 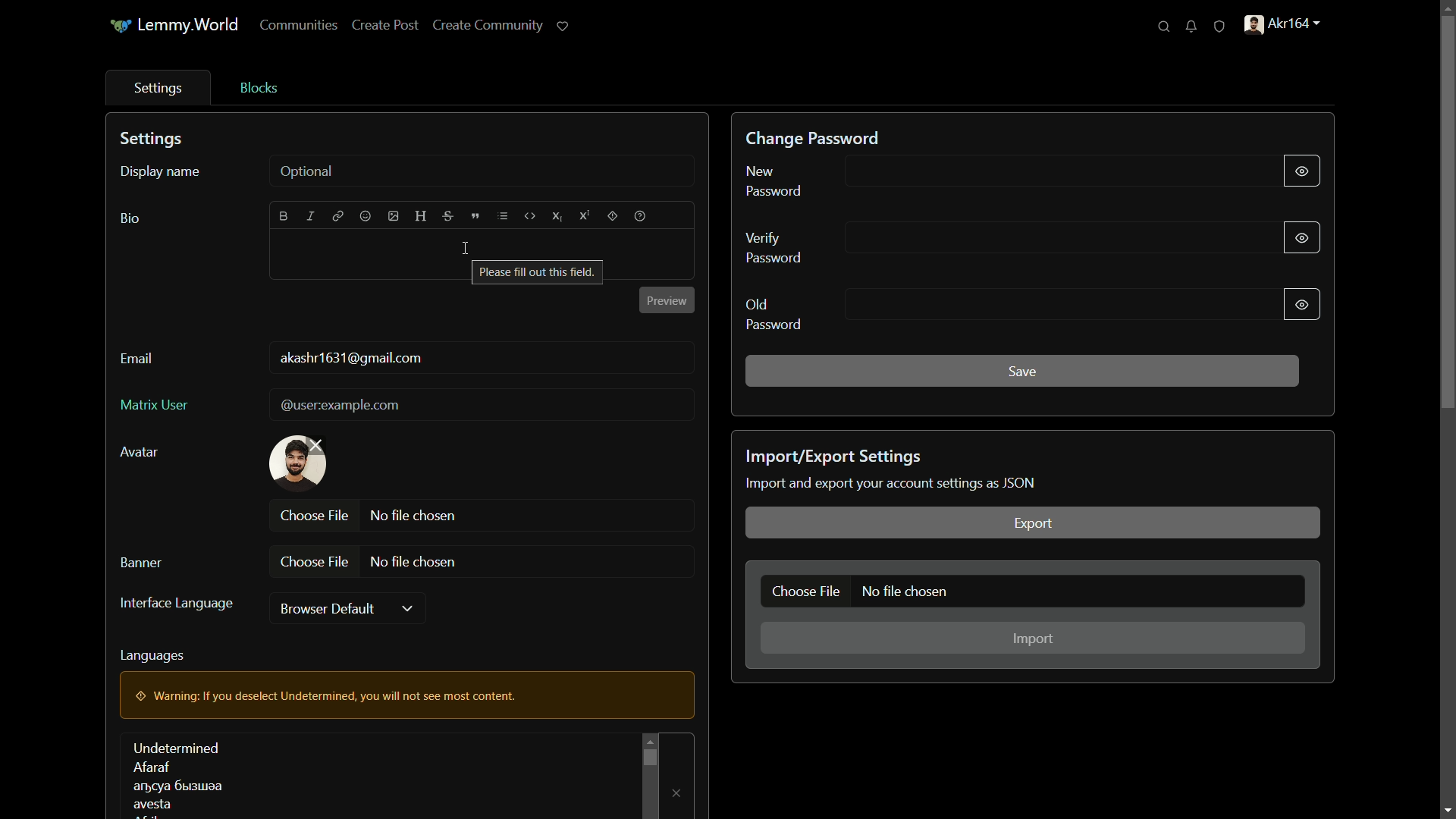 What do you see at coordinates (300, 463) in the screenshot?
I see `profile picture` at bounding box center [300, 463].